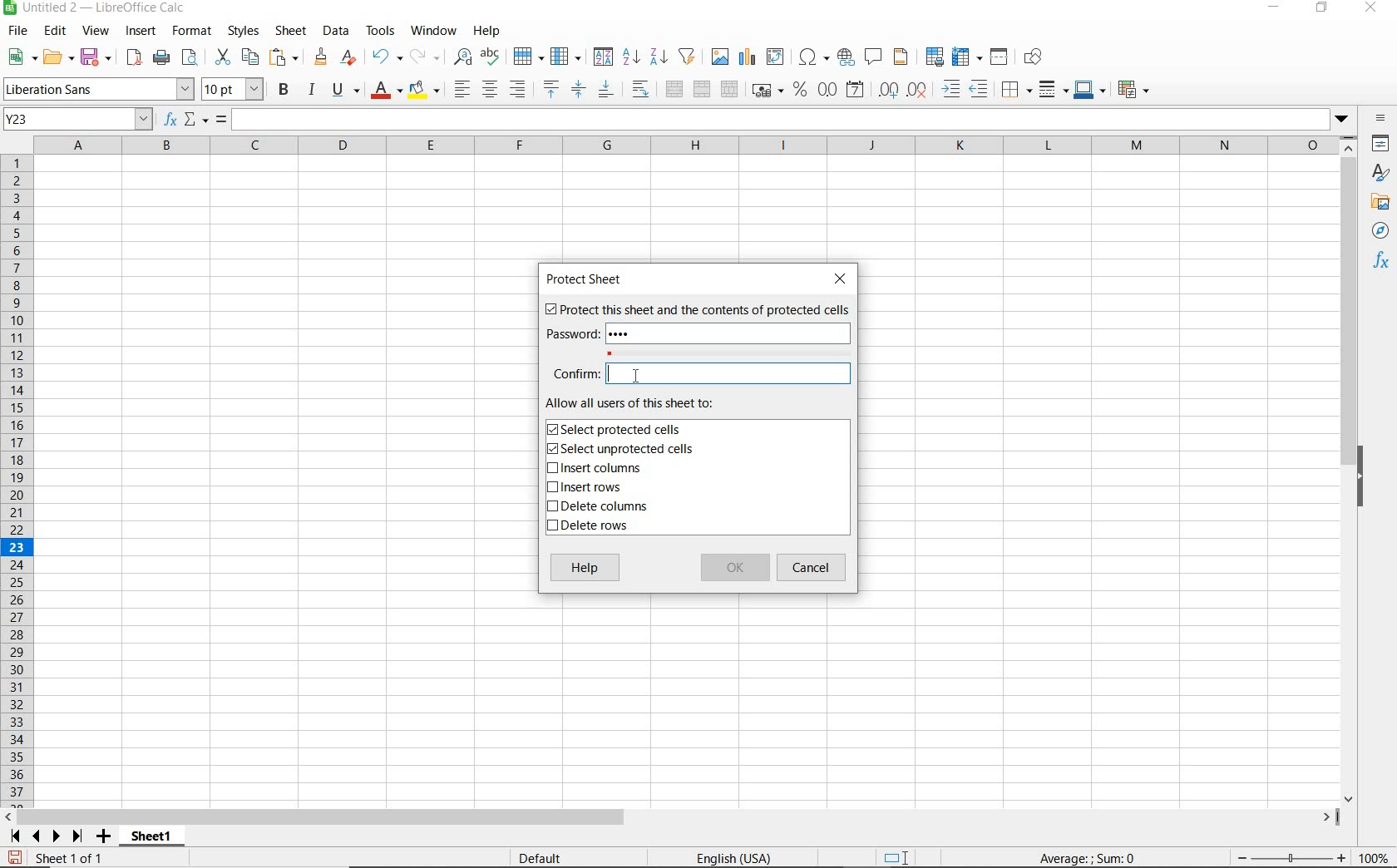 Image resolution: width=1397 pixels, height=868 pixels. Describe the element at coordinates (56, 57) in the screenshot. I see `OPEN` at that location.